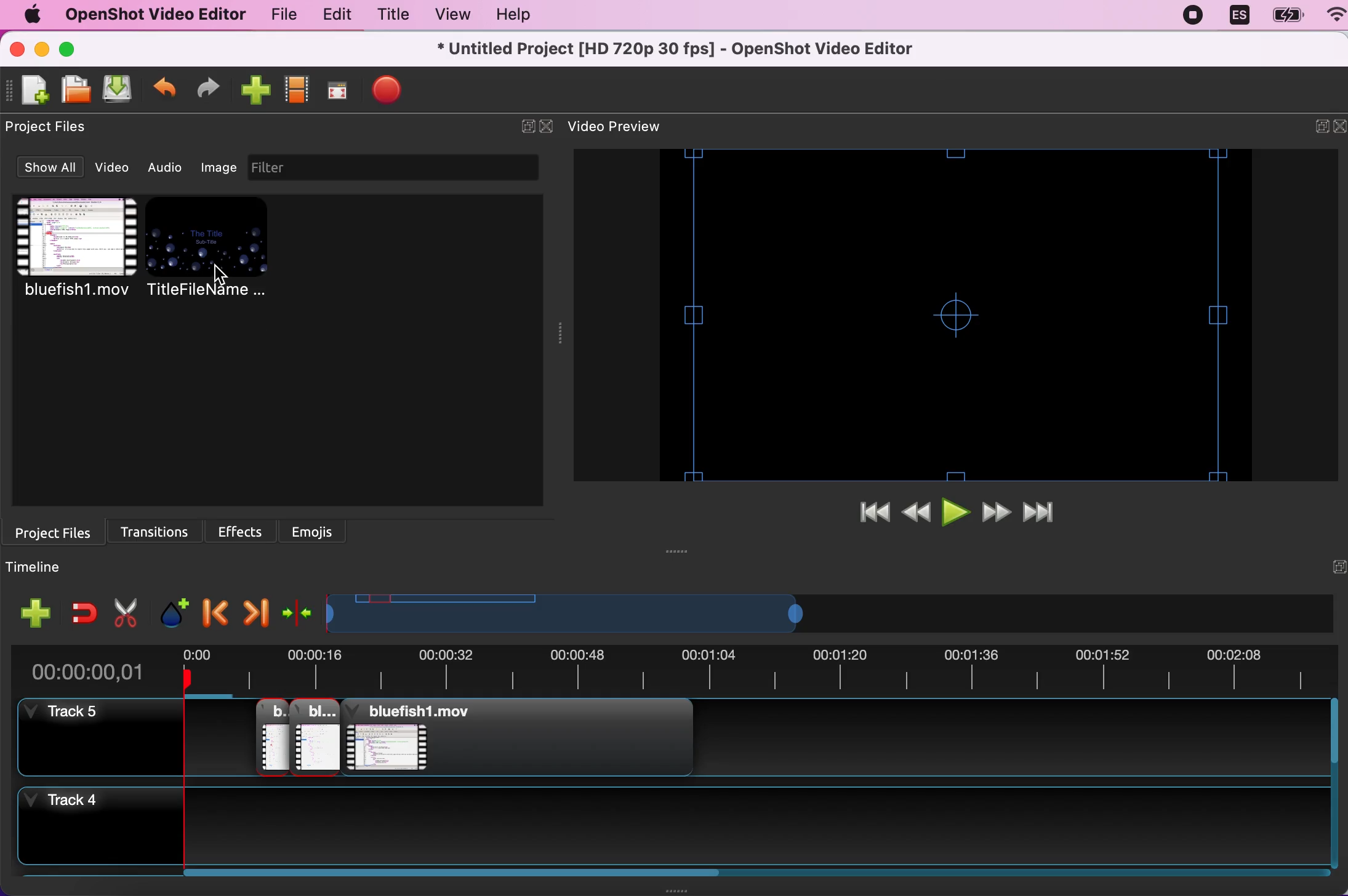  I want to click on close, so click(1339, 127).